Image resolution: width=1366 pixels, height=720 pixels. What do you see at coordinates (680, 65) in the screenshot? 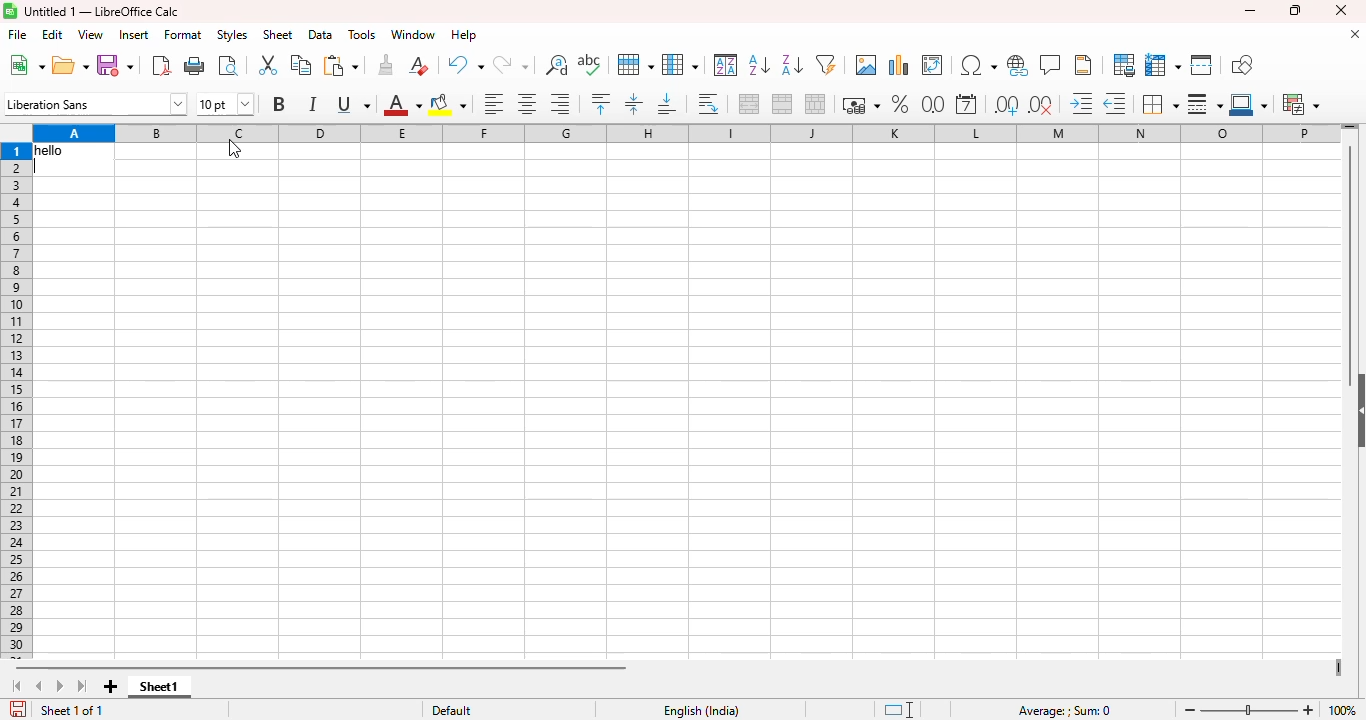
I see `column` at bounding box center [680, 65].